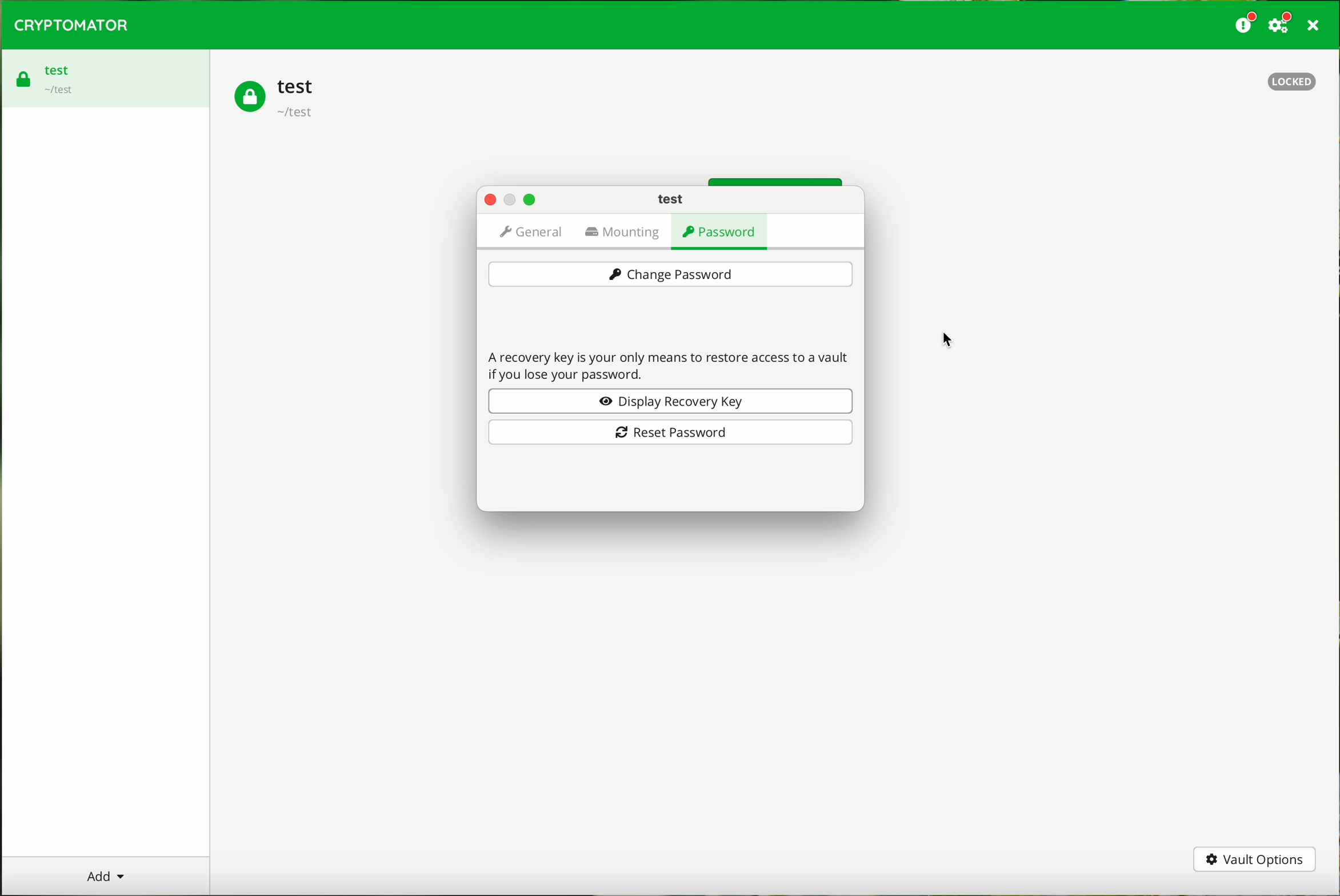  Describe the element at coordinates (722, 231) in the screenshot. I see `password` at that location.